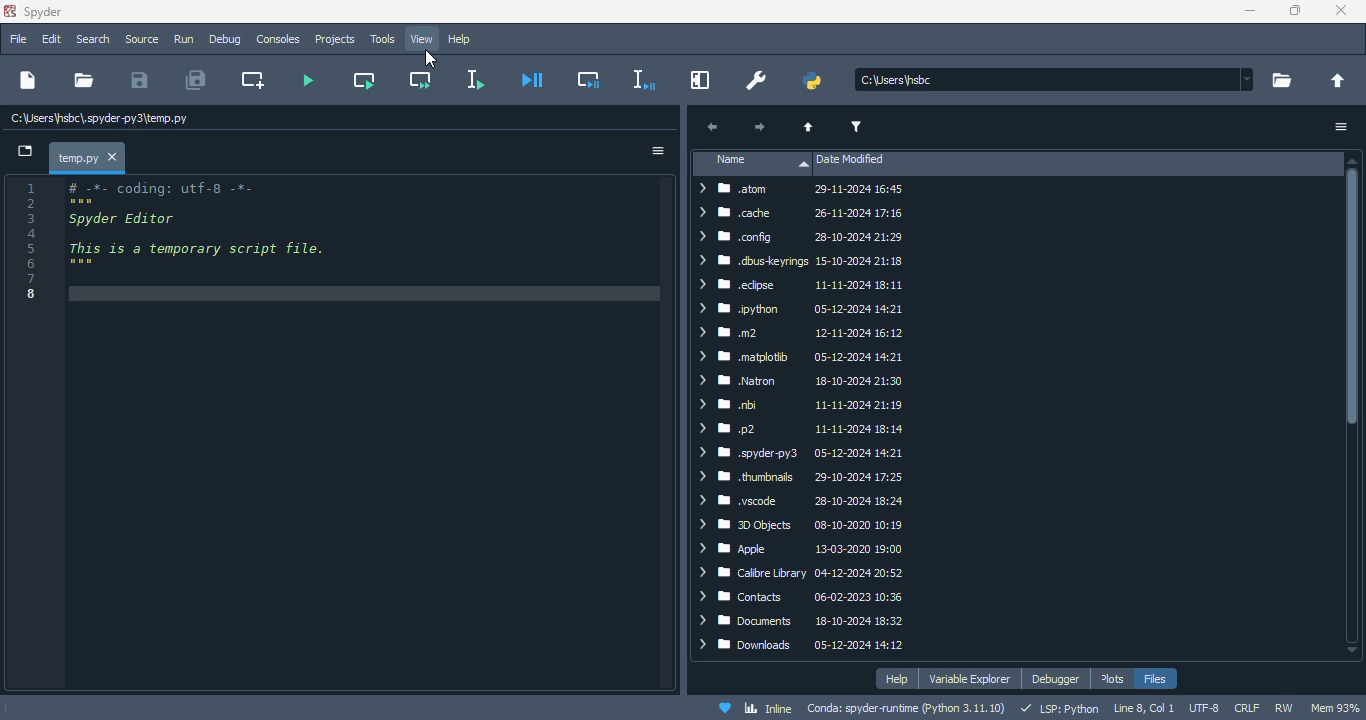 The image size is (1366, 720). What do you see at coordinates (1342, 127) in the screenshot?
I see `options` at bounding box center [1342, 127].